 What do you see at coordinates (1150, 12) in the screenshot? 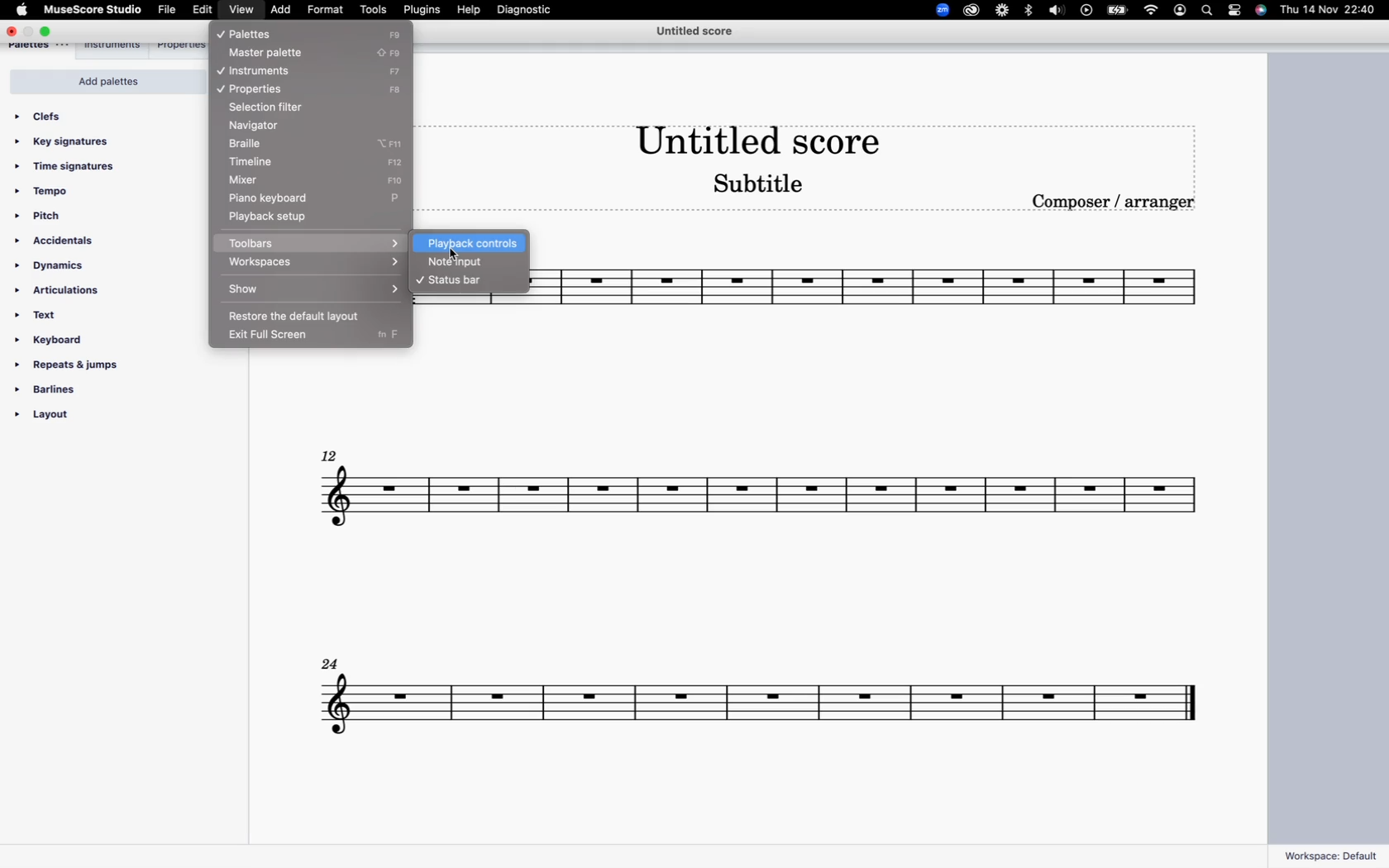
I see `wifi` at bounding box center [1150, 12].